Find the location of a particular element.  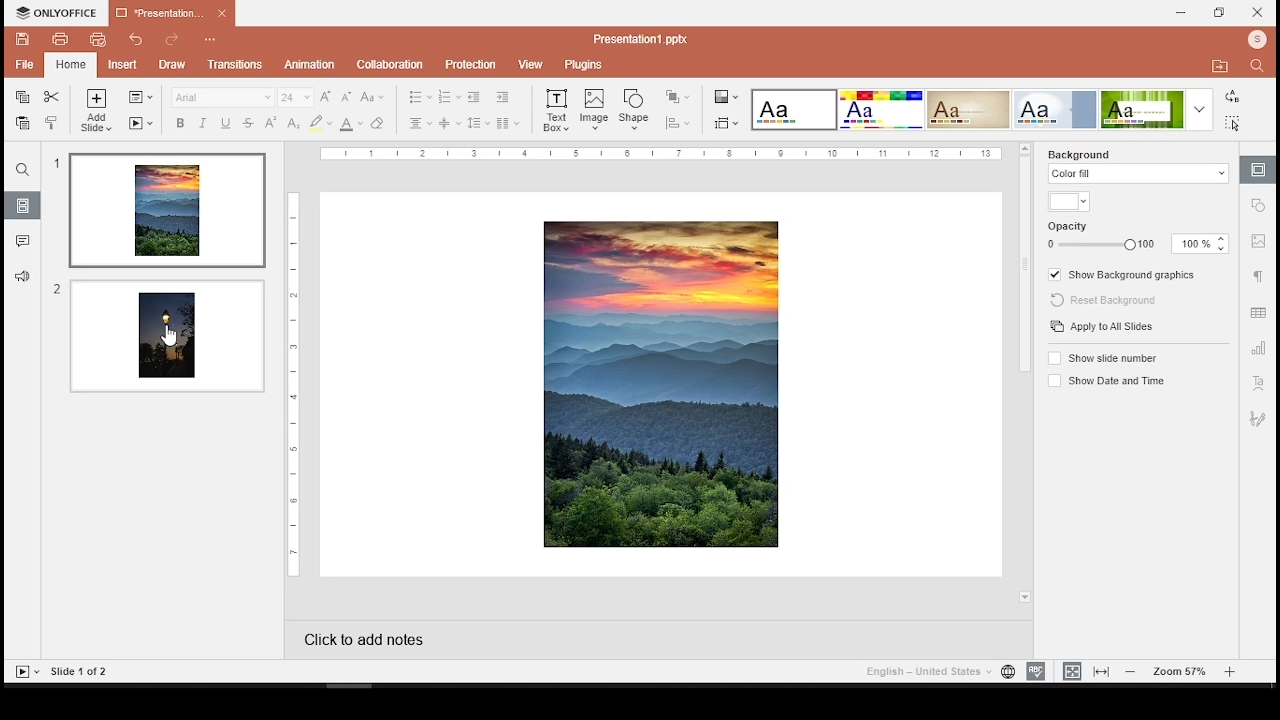

chart settings is located at coordinates (1259, 349).